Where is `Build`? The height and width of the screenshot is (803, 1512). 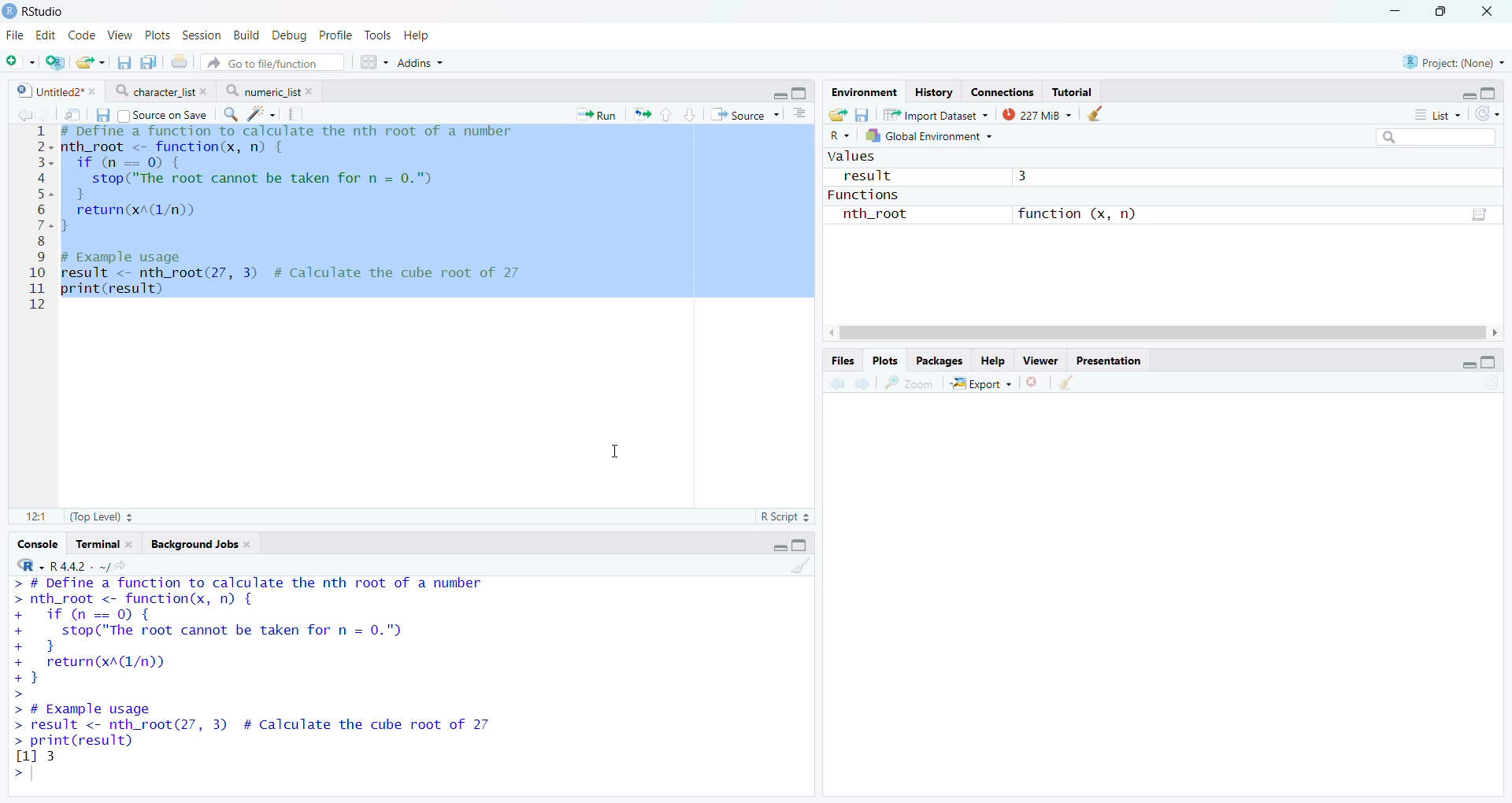
Build is located at coordinates (248, 35).